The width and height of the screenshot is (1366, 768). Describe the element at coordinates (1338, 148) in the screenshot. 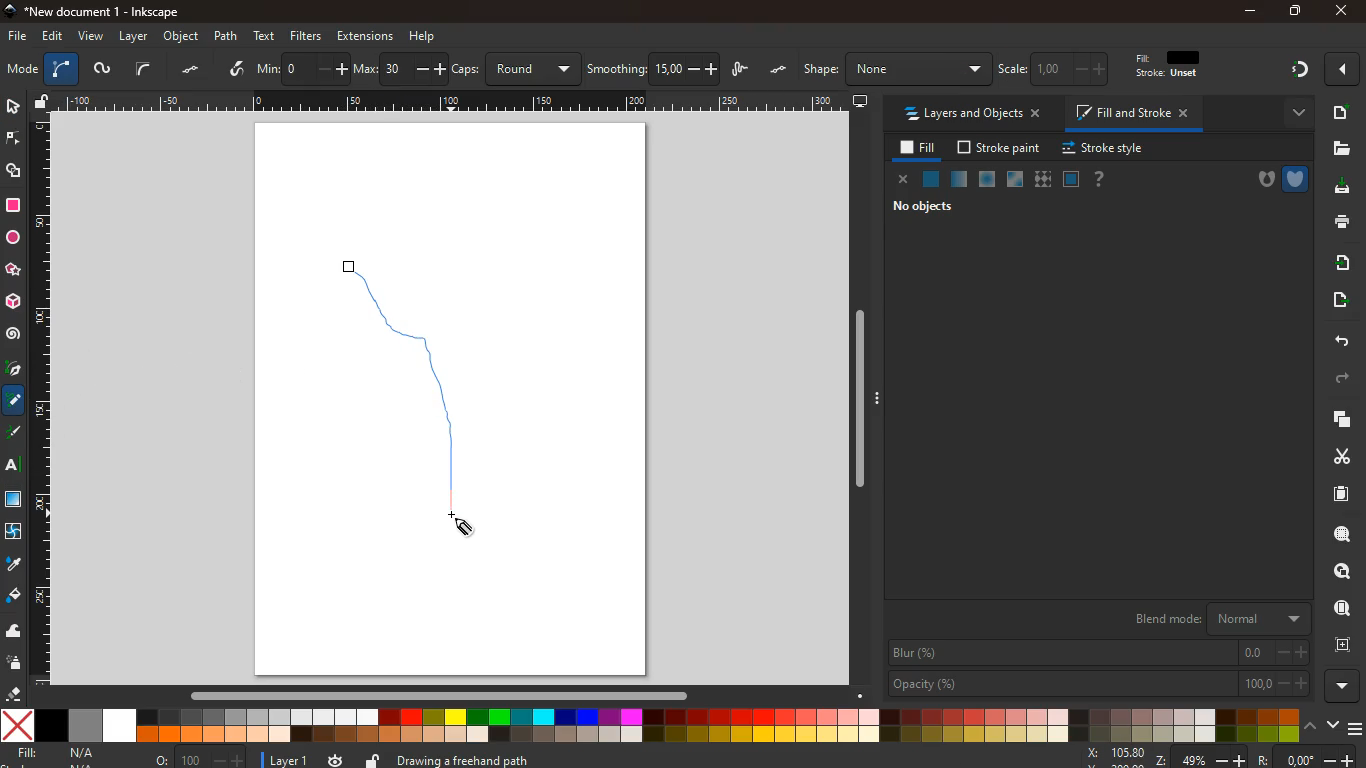

I see `files` at that location.